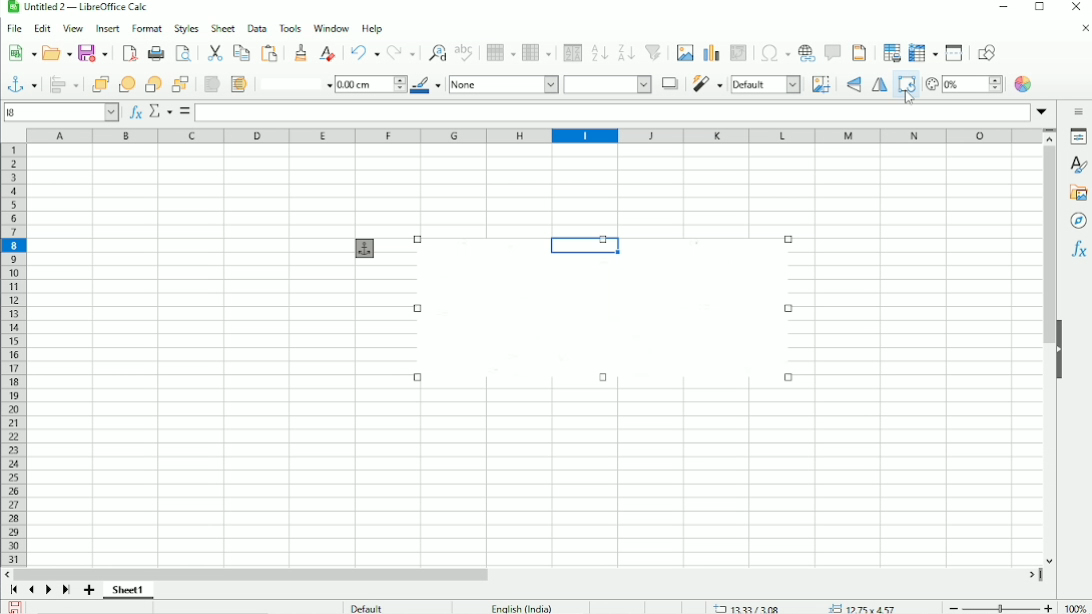 The height and width of the screenshot is (614, 1092). Describe the element at coordinates (854, 85) in the screenshot. I see `Flip vertically` at that location.